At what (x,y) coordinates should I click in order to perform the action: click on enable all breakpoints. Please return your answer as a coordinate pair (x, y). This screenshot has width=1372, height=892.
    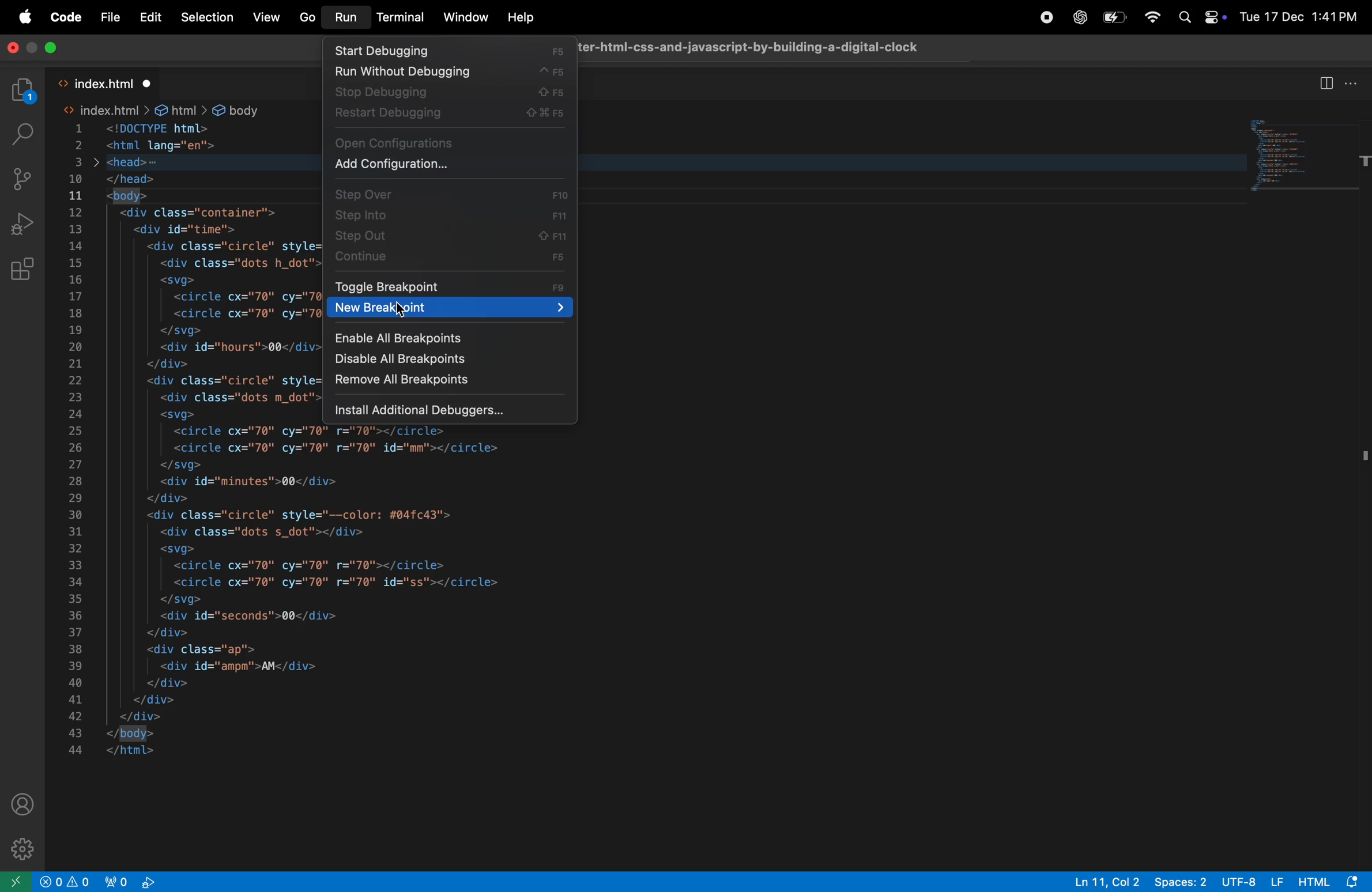
    Looking at the image, I should click on (447, 335).